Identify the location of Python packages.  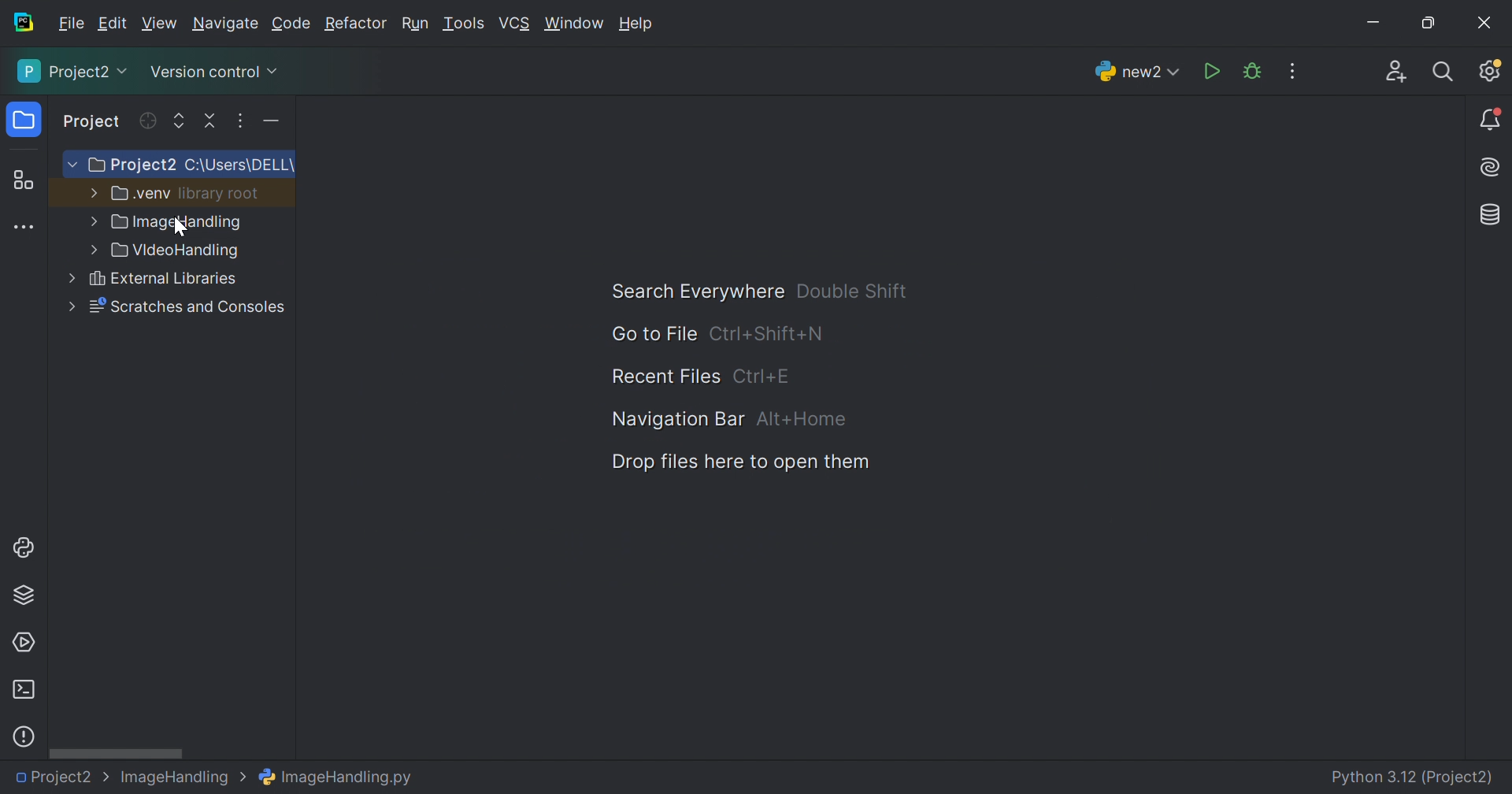
(24, 594).